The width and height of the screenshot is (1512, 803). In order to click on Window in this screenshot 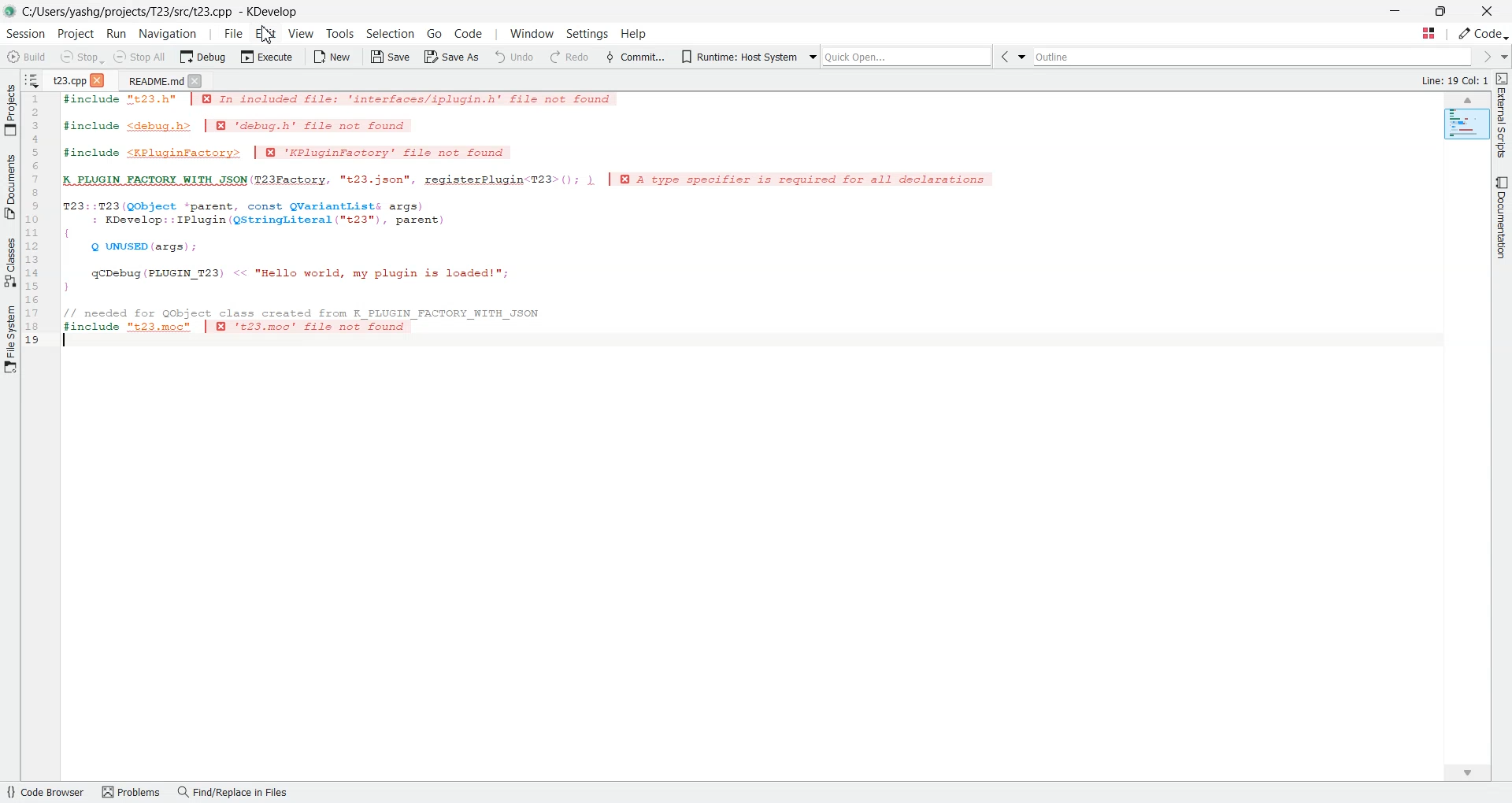, I will do `click(532, 34)`.